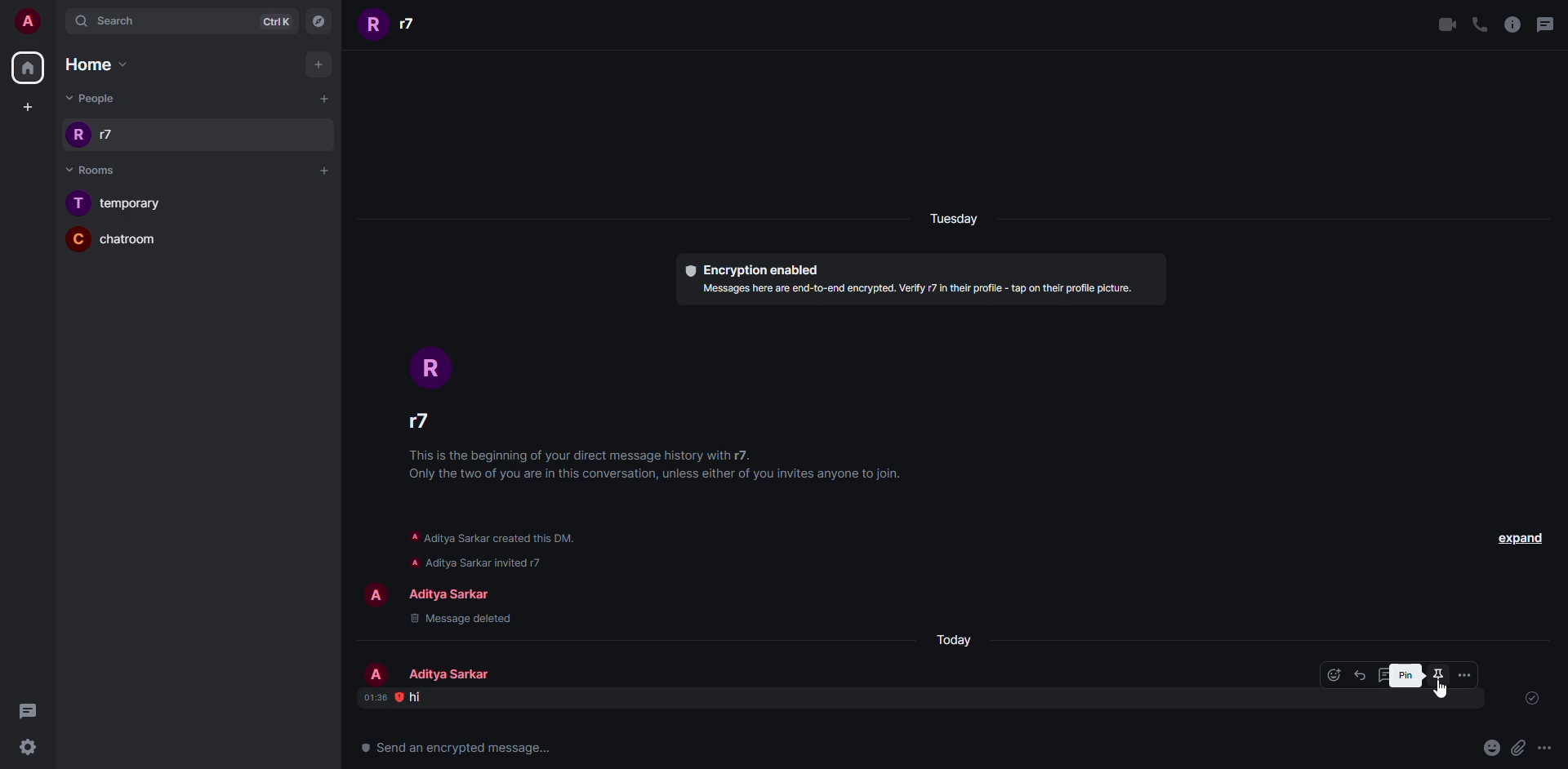 Image resolution: width=1568 pixels, height=769 pixels. What do you see at coordinates (960, 638) in the screenshot?
I see `day` at bounding box center [960, 638].